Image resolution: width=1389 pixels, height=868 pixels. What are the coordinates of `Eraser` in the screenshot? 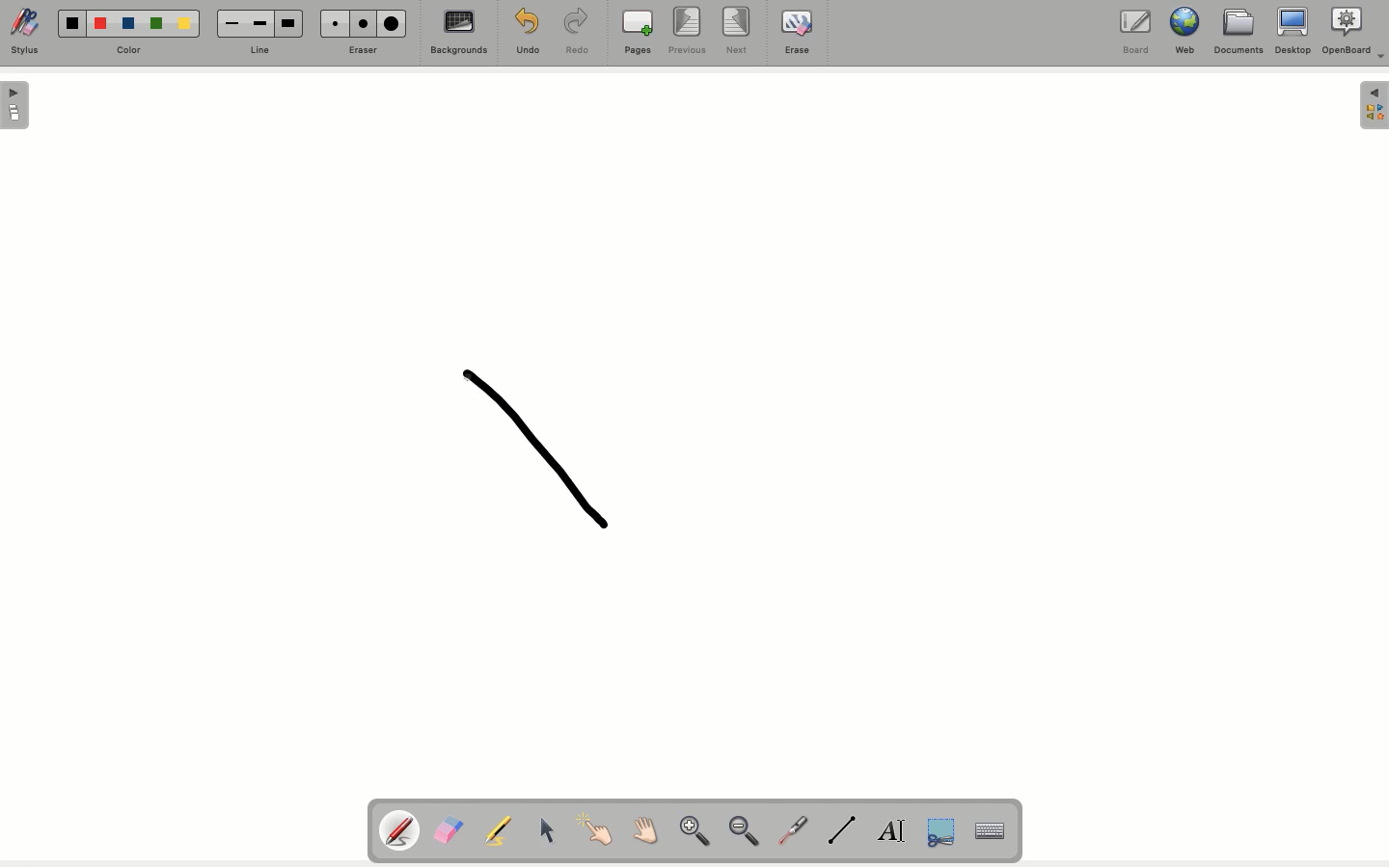 It's located at (451, 829).